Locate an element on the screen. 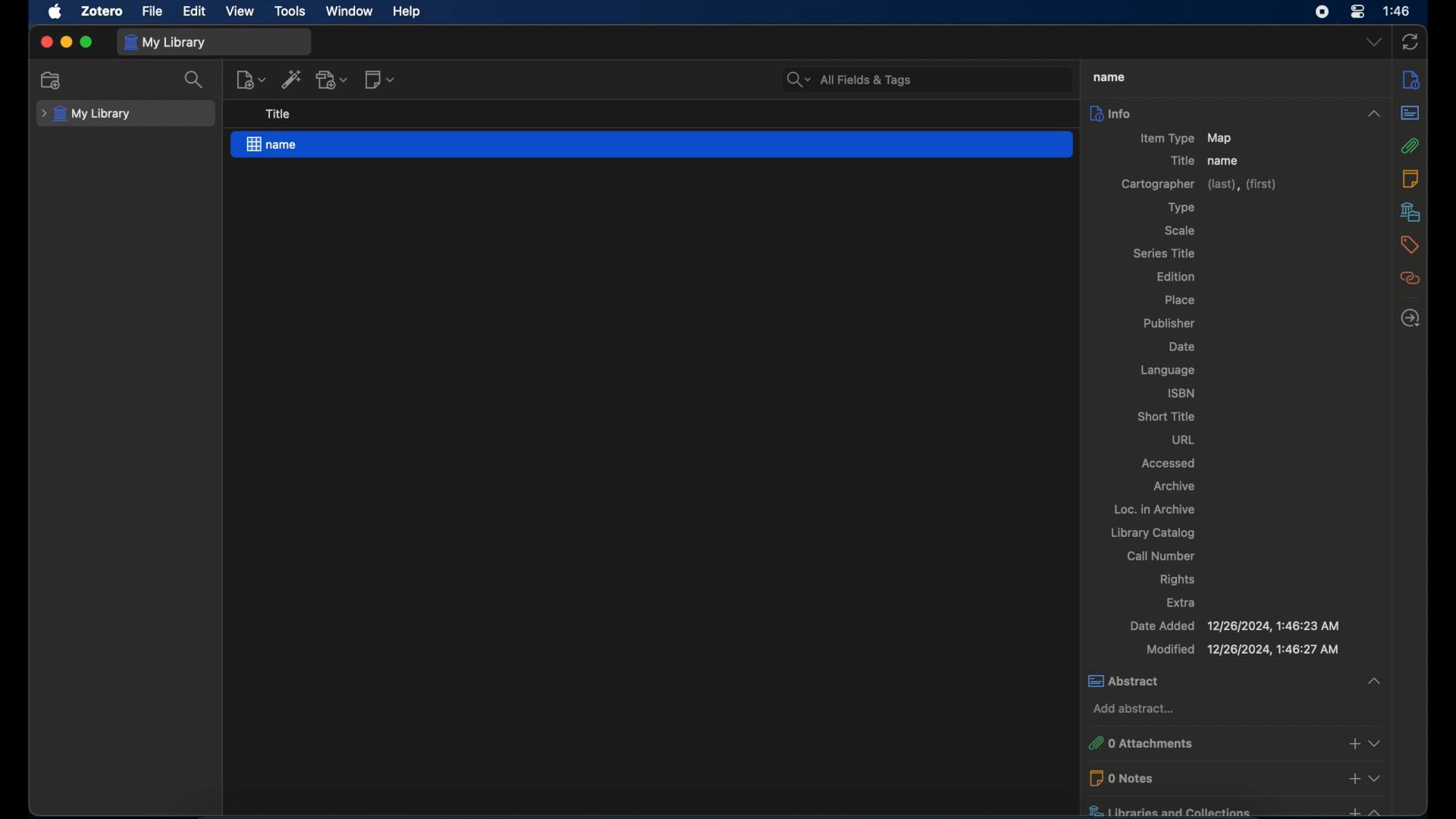  call number is located at coordinates (1161, 556).